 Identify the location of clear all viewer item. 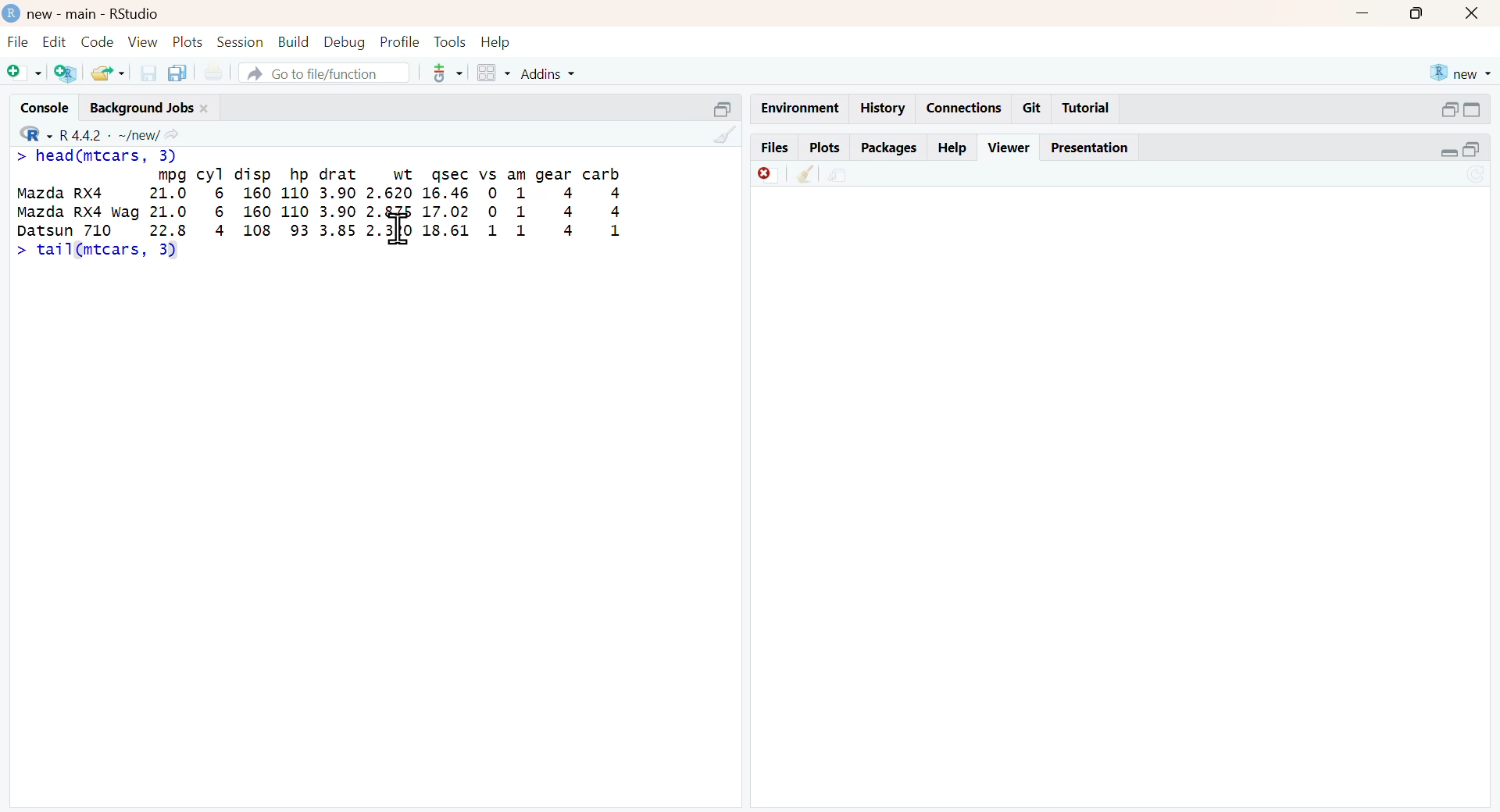
(799, 176).